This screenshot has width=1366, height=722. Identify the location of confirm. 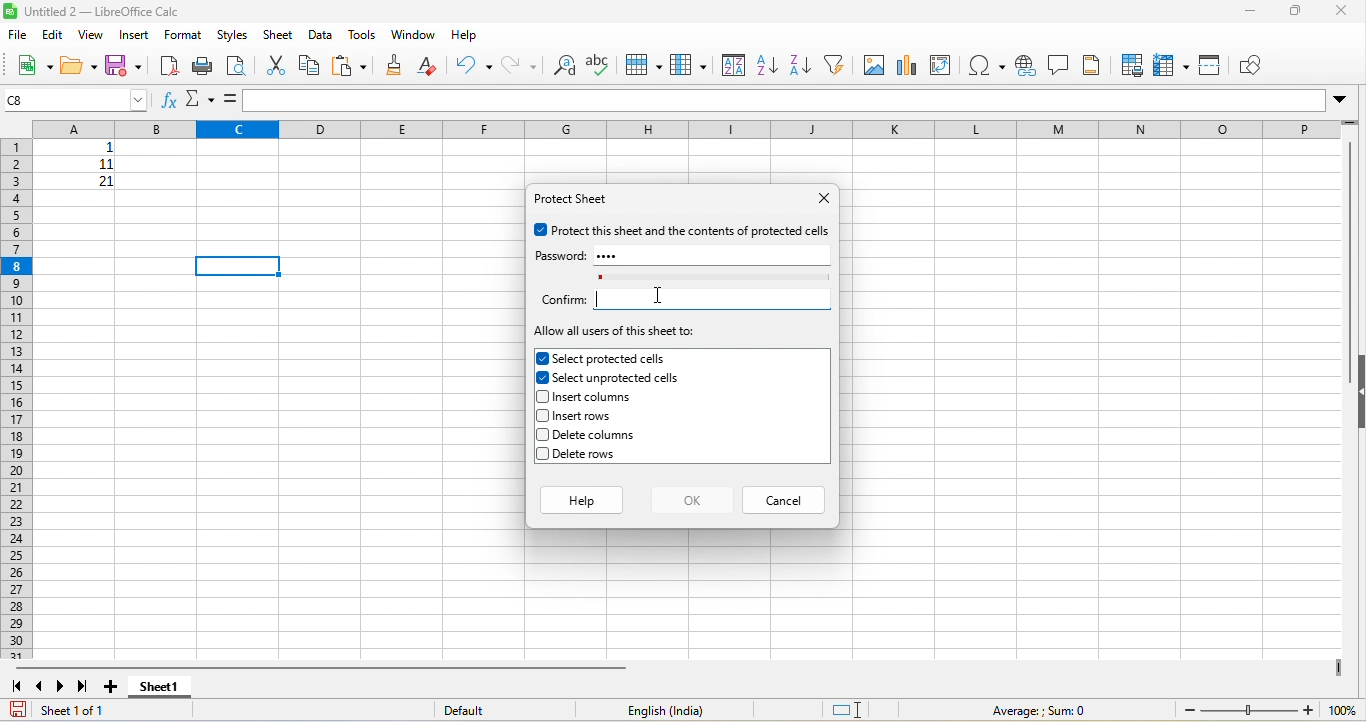
(563, 299).